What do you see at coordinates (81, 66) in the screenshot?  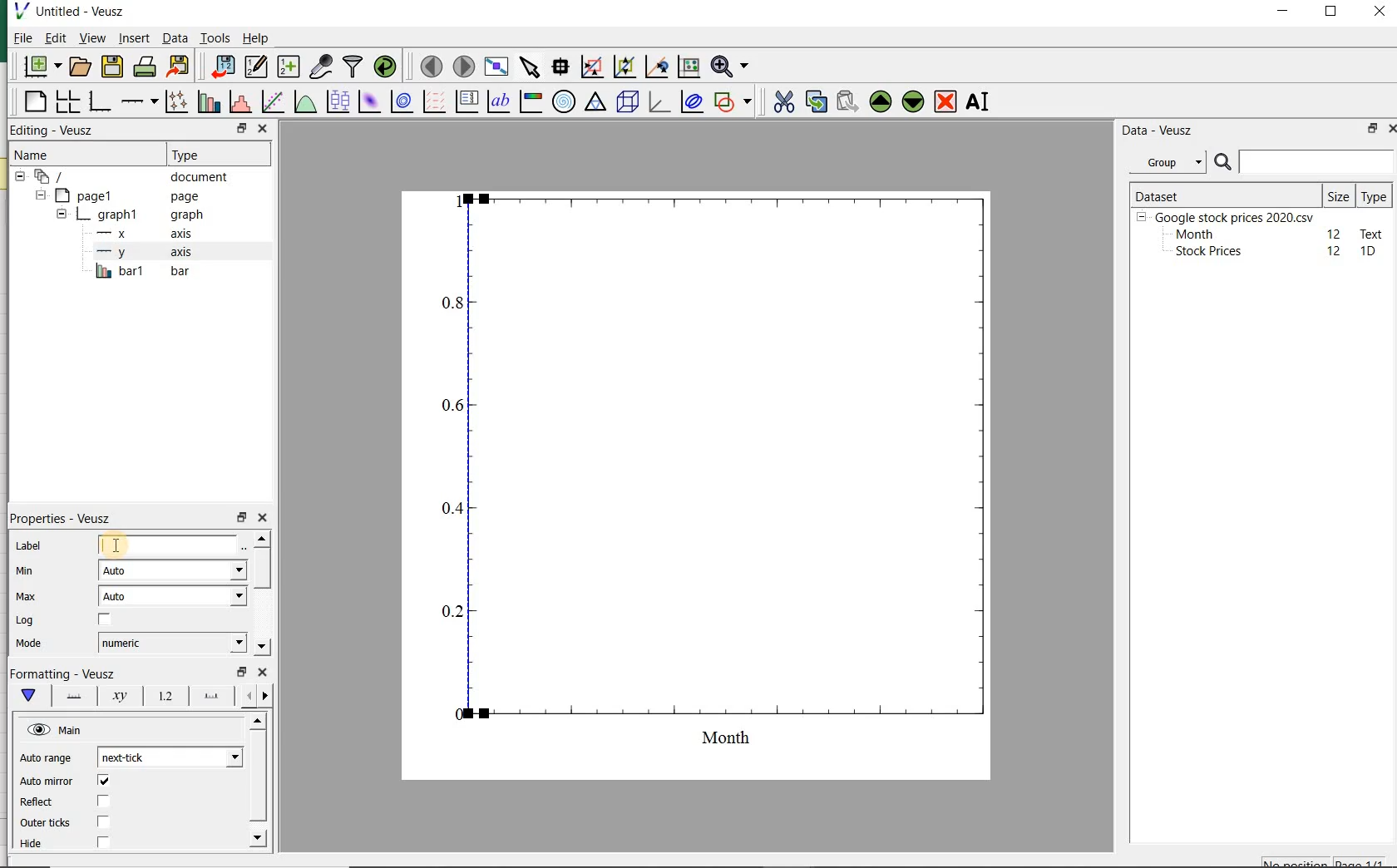 I see `open a document` at bounding box center [81, 66].